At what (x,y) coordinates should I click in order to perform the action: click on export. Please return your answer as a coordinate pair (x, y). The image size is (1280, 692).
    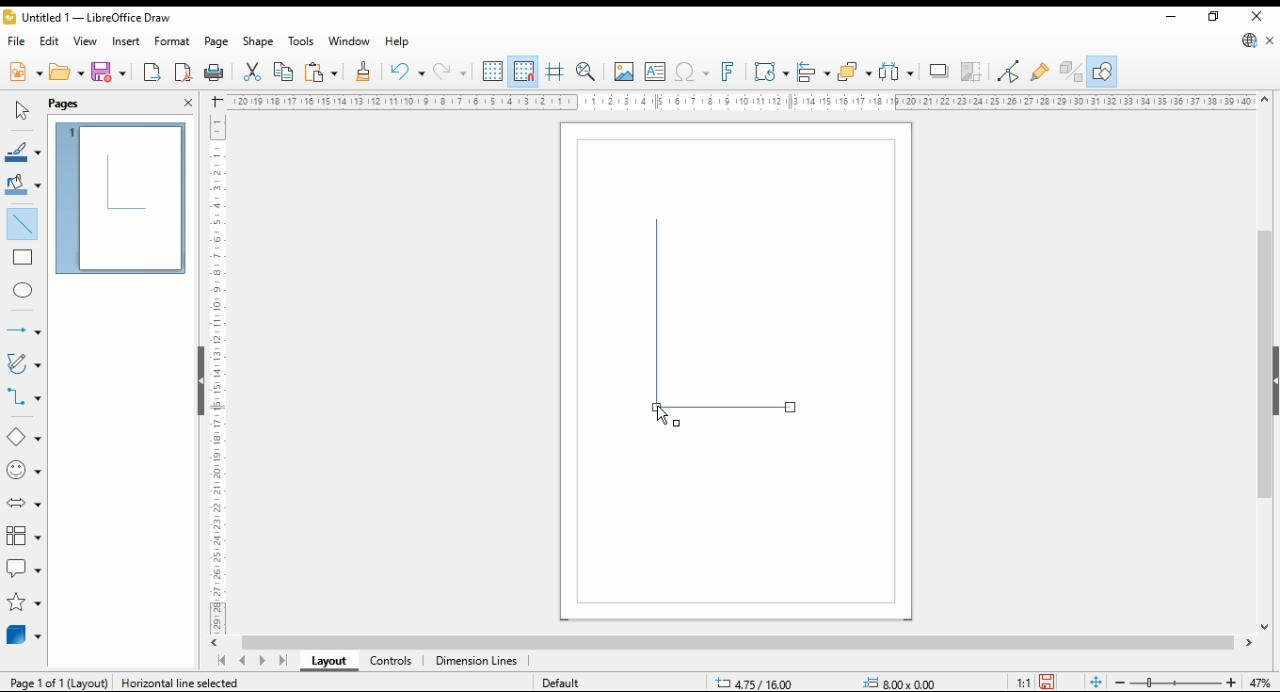
    Looking at the image, I should click on (152, 74).